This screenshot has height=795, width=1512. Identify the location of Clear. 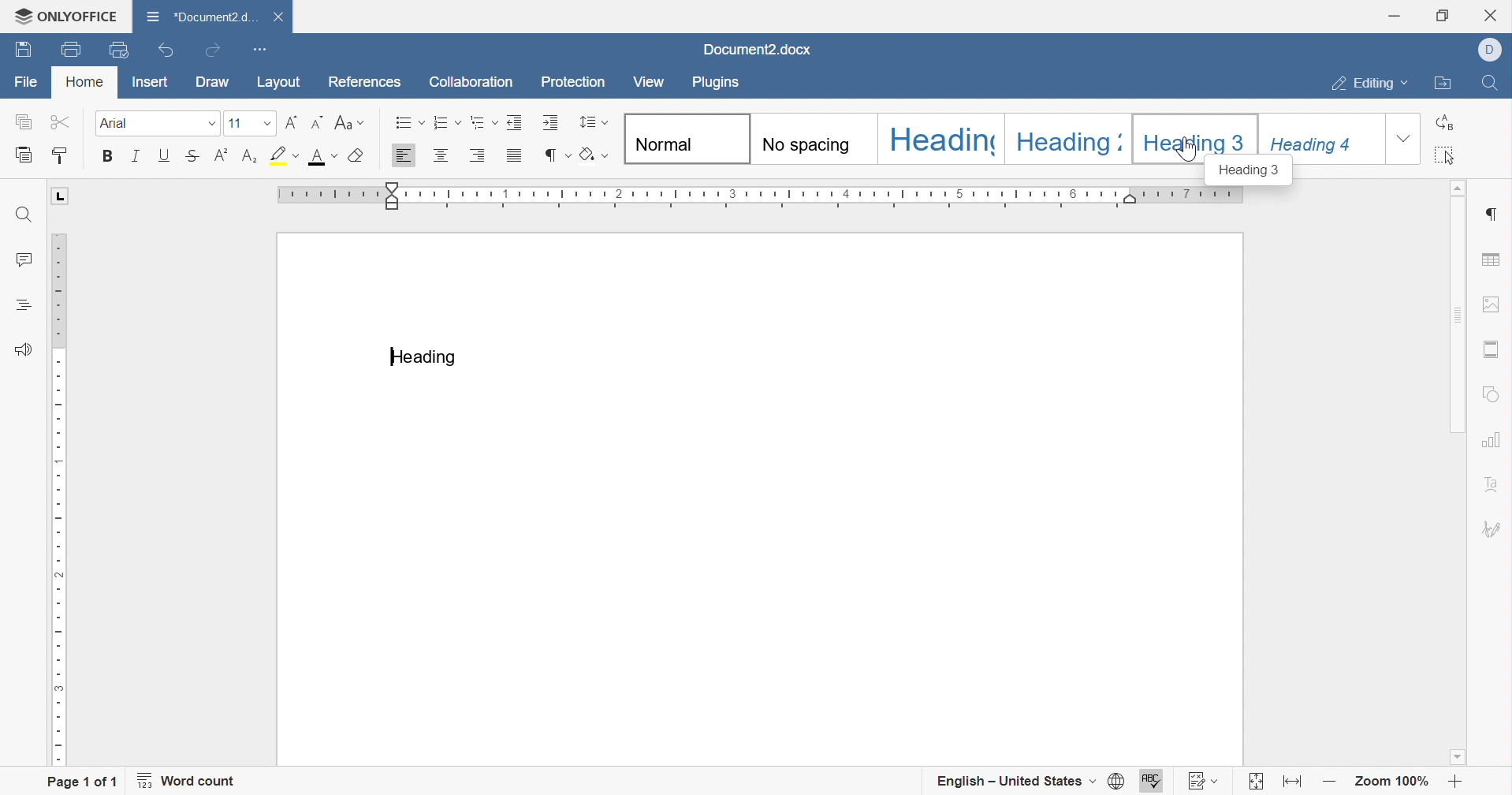
(353, 157).